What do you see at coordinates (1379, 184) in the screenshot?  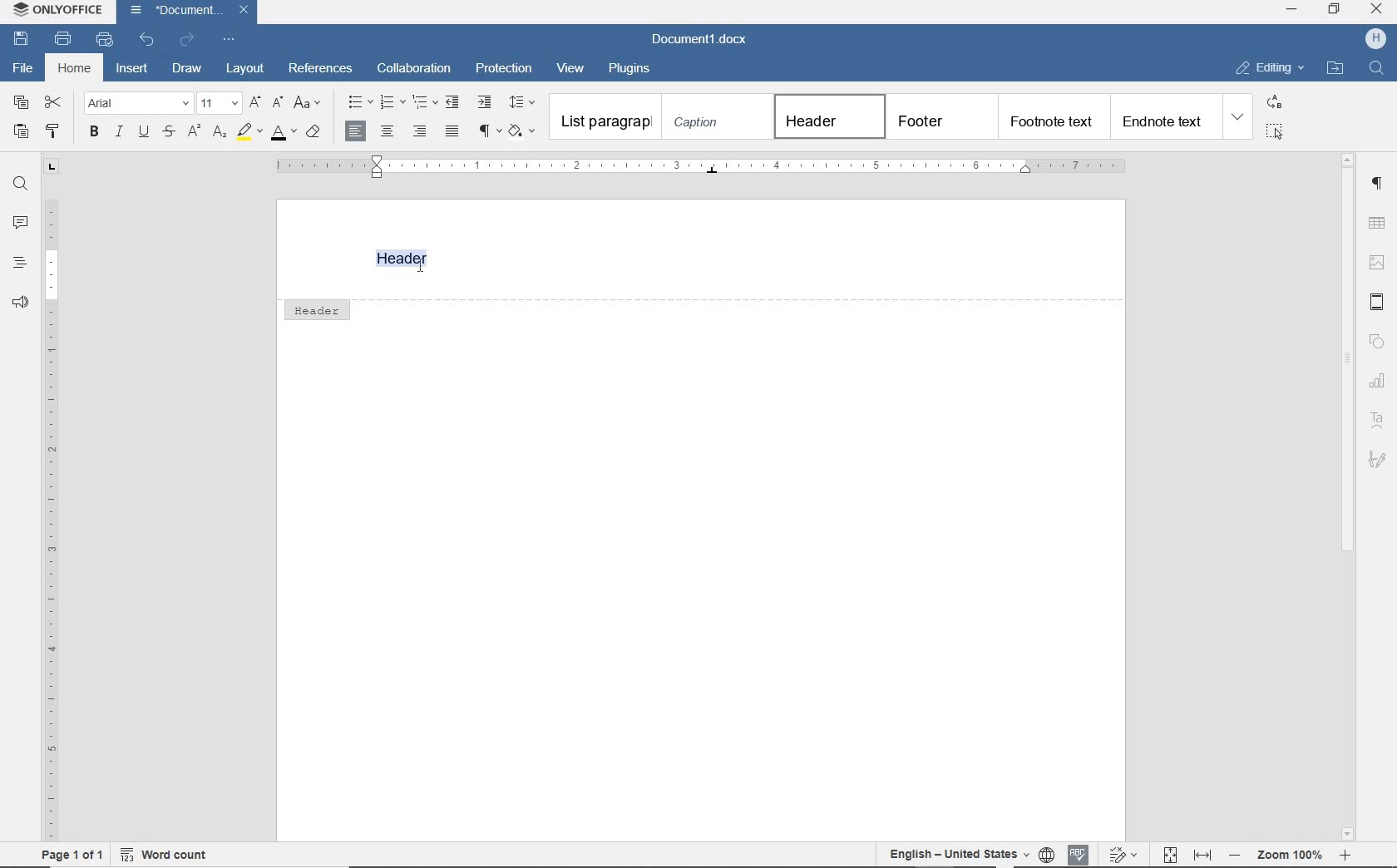 I see `PARAGRAPH SETTINGS` at bounding box center [1379, 184].